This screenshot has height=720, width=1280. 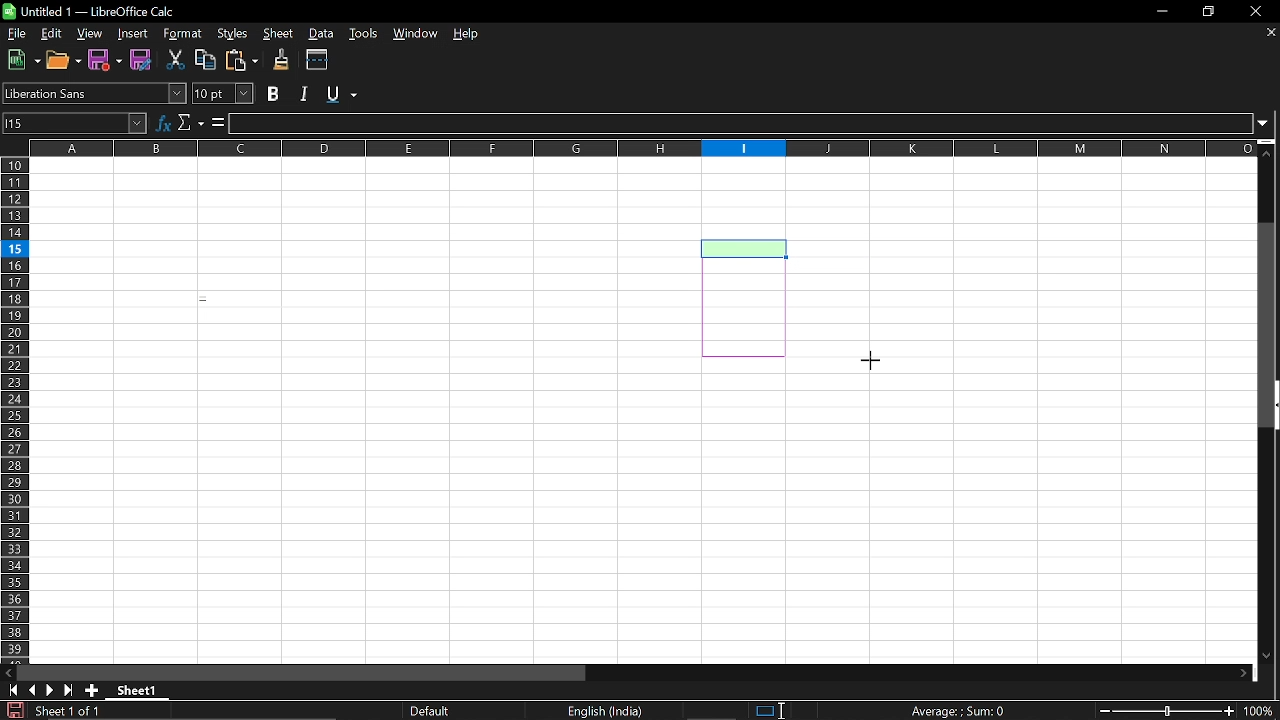 I want to click on New, so click(x=20, y=61).